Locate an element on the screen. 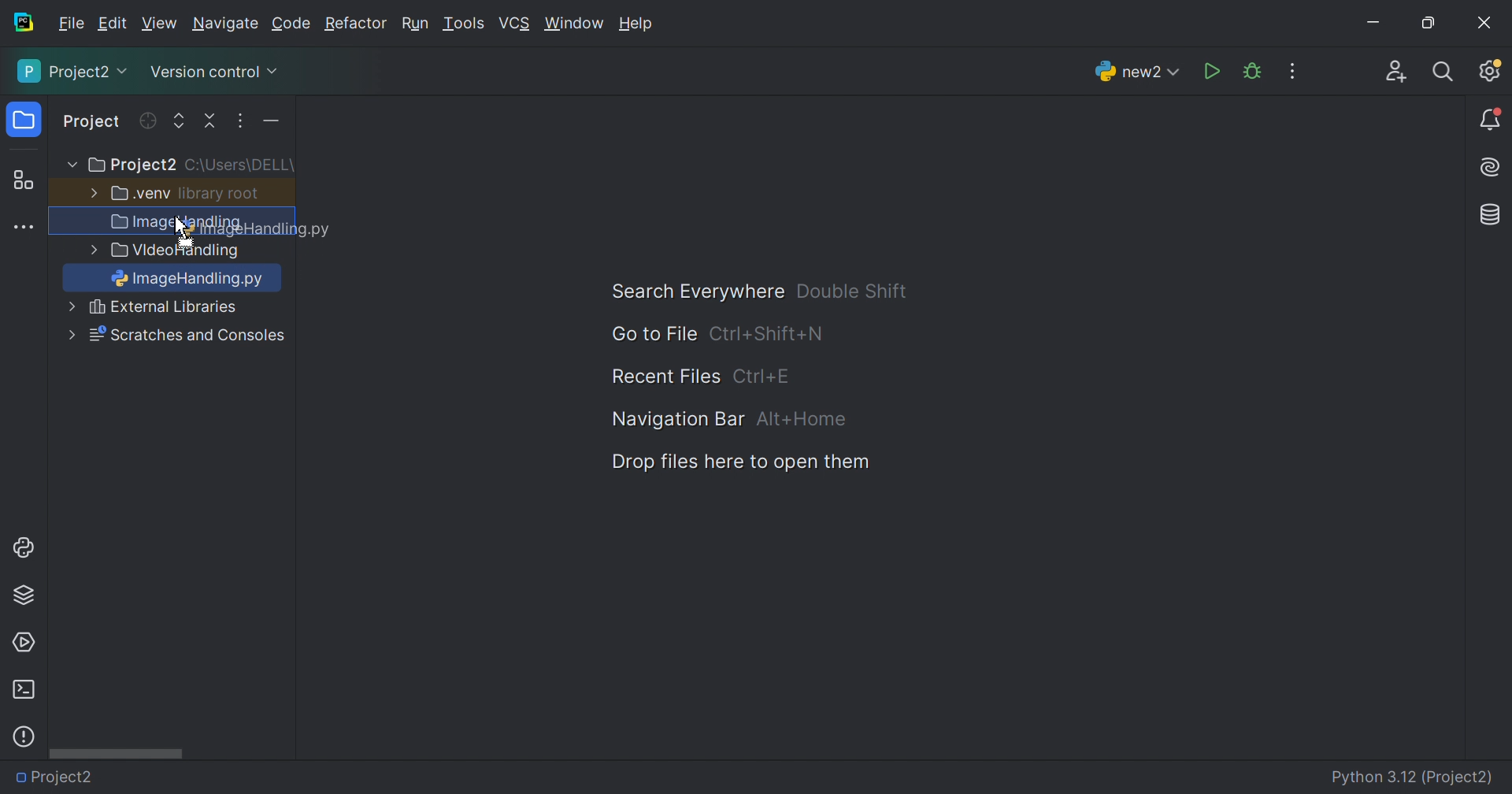 Image resolution: width=1512 pixels, height=794 pixels. Problems is located at coordinates (24, 736).